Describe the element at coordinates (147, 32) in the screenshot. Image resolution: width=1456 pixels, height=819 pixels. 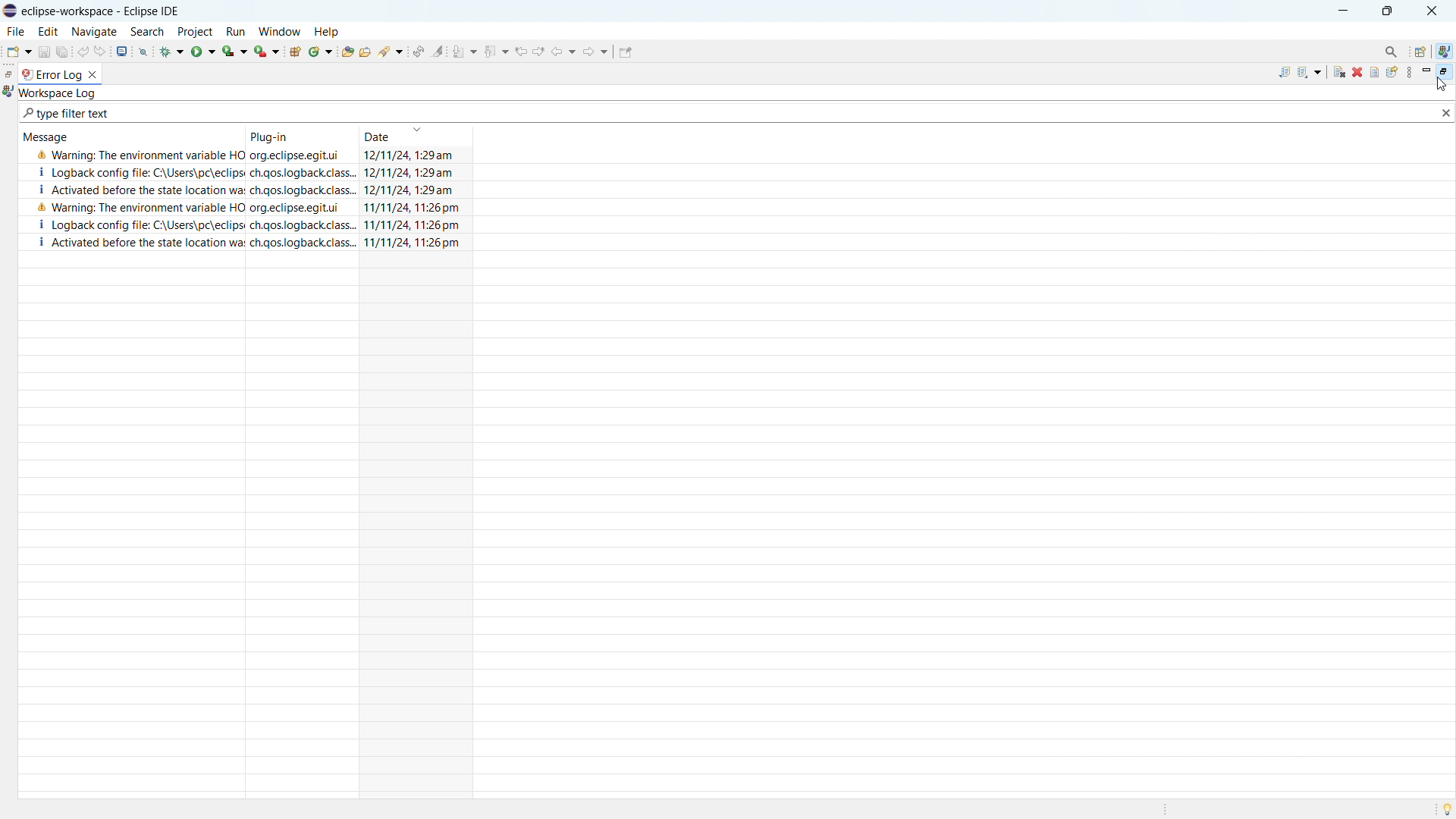
I see `search` at that location.